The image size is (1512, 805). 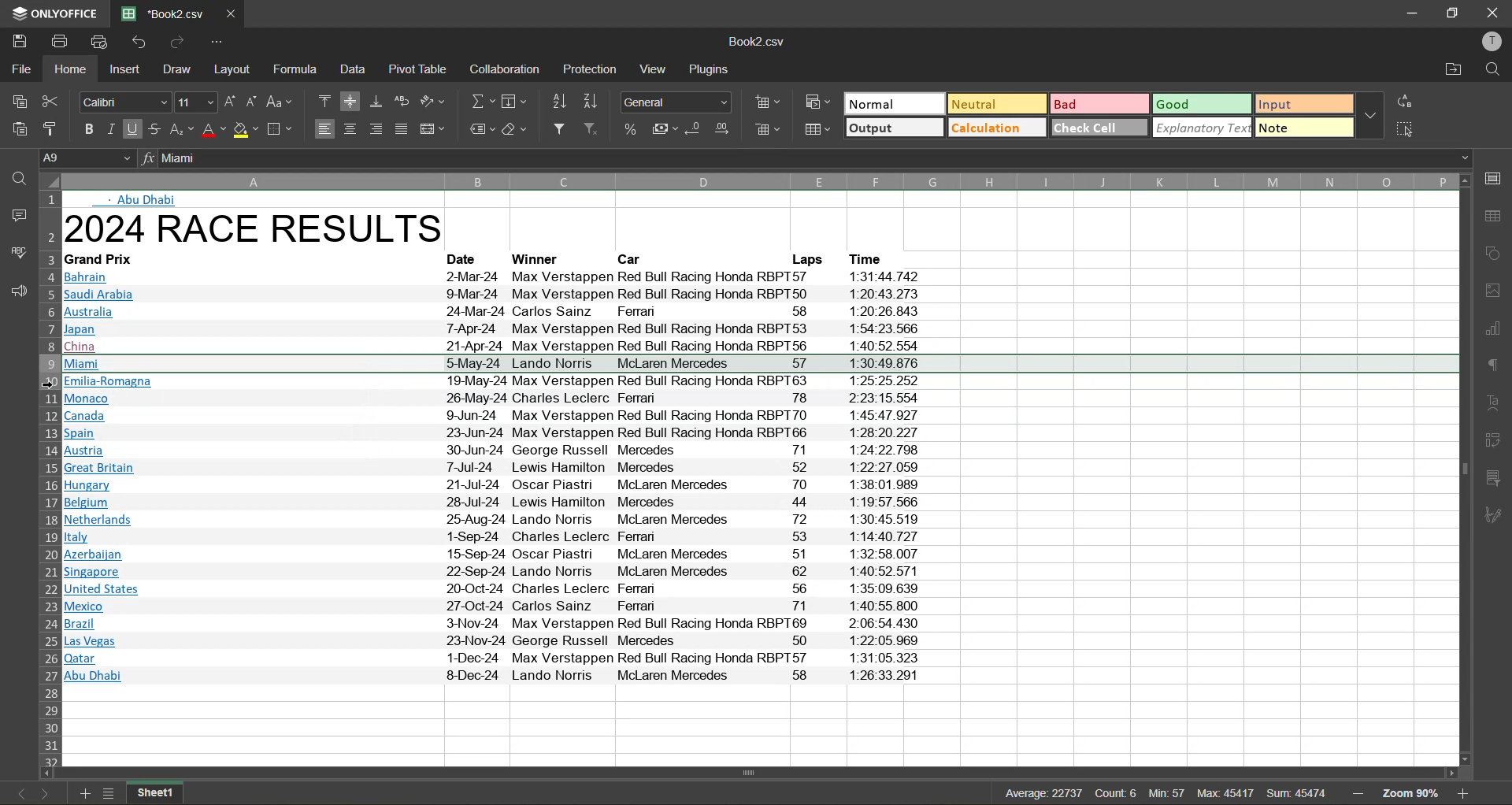 What do you see at coordinates (493, 676) in the screenshot?
I see `Abu Dhabi 8-Dec-24 Lando Norris McLaren Mercedes 58 1:26:33.291` at bounding box center [493, 676].